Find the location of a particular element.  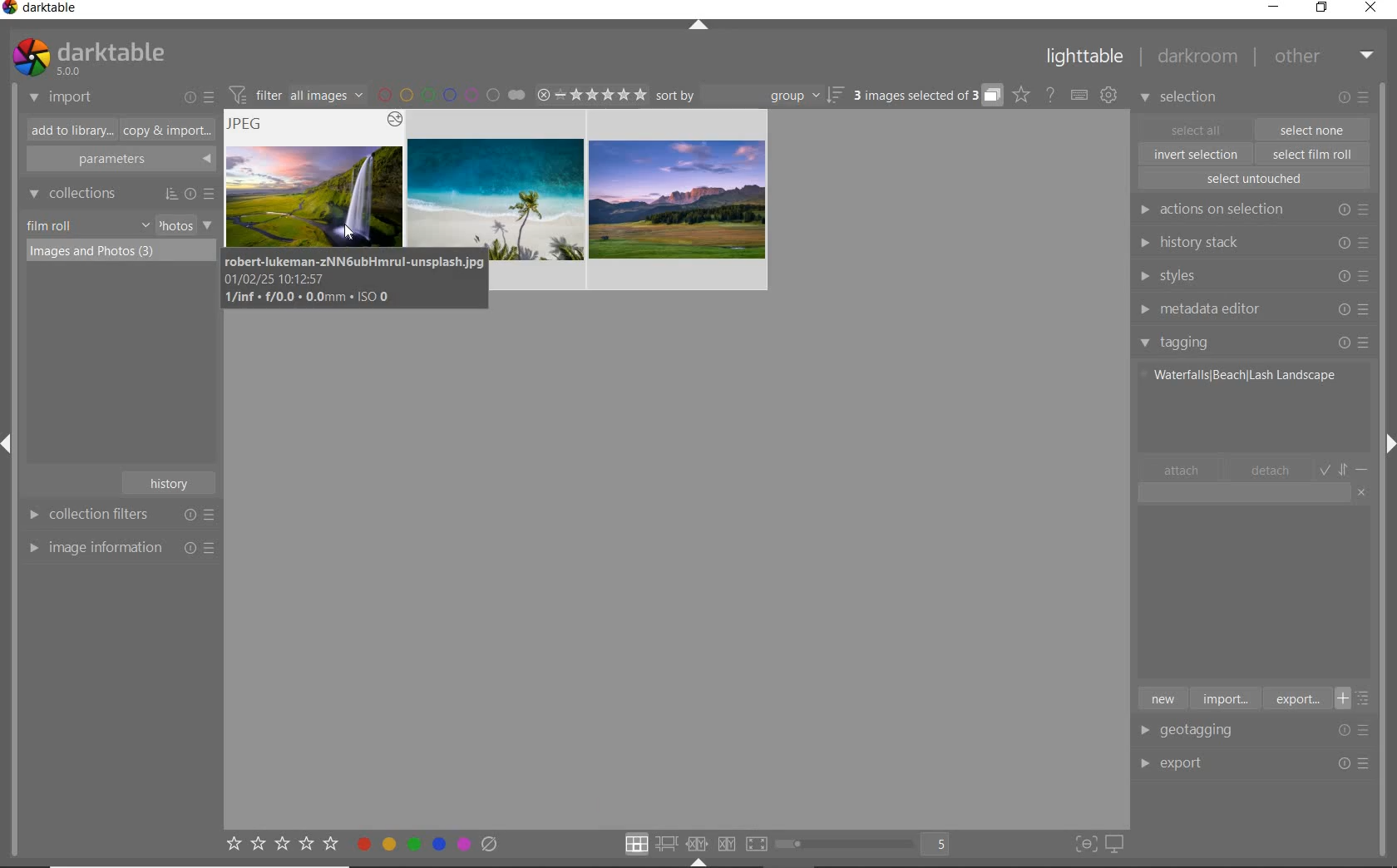

add to library is located at coordinates (67, 131).